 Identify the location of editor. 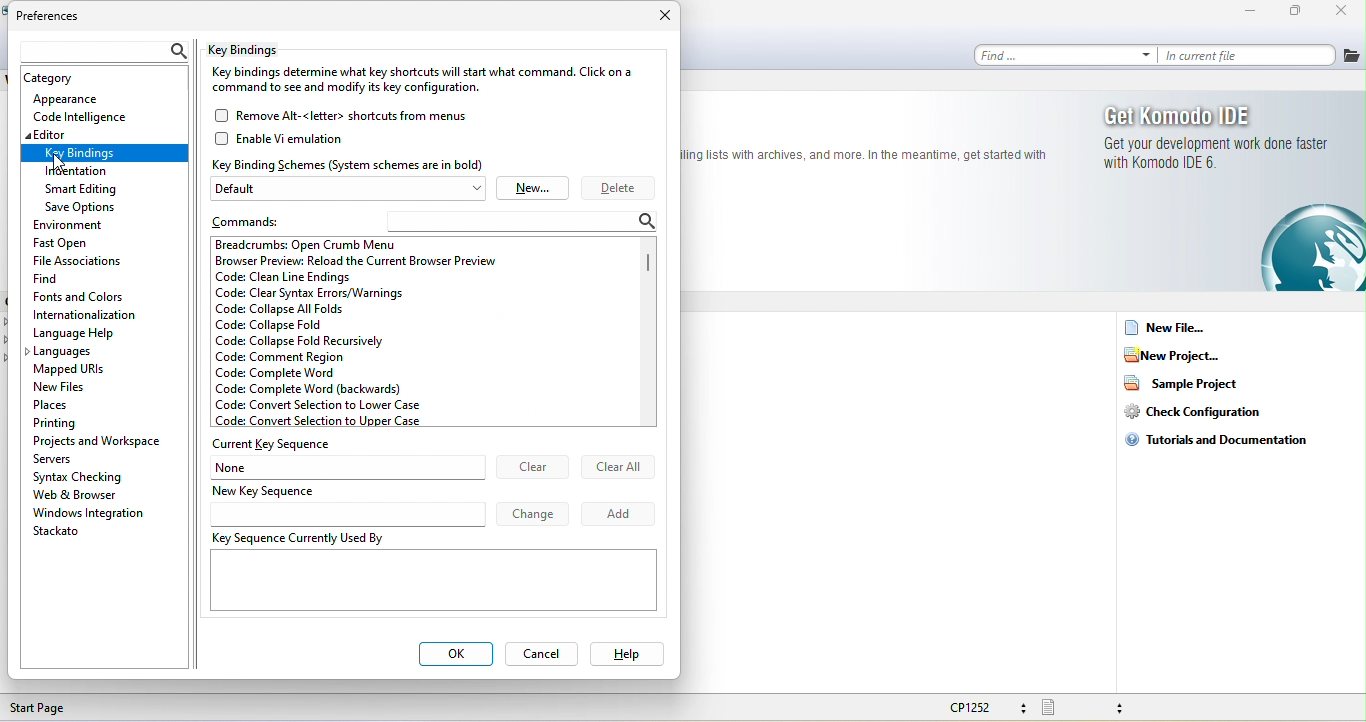
(105, 134).